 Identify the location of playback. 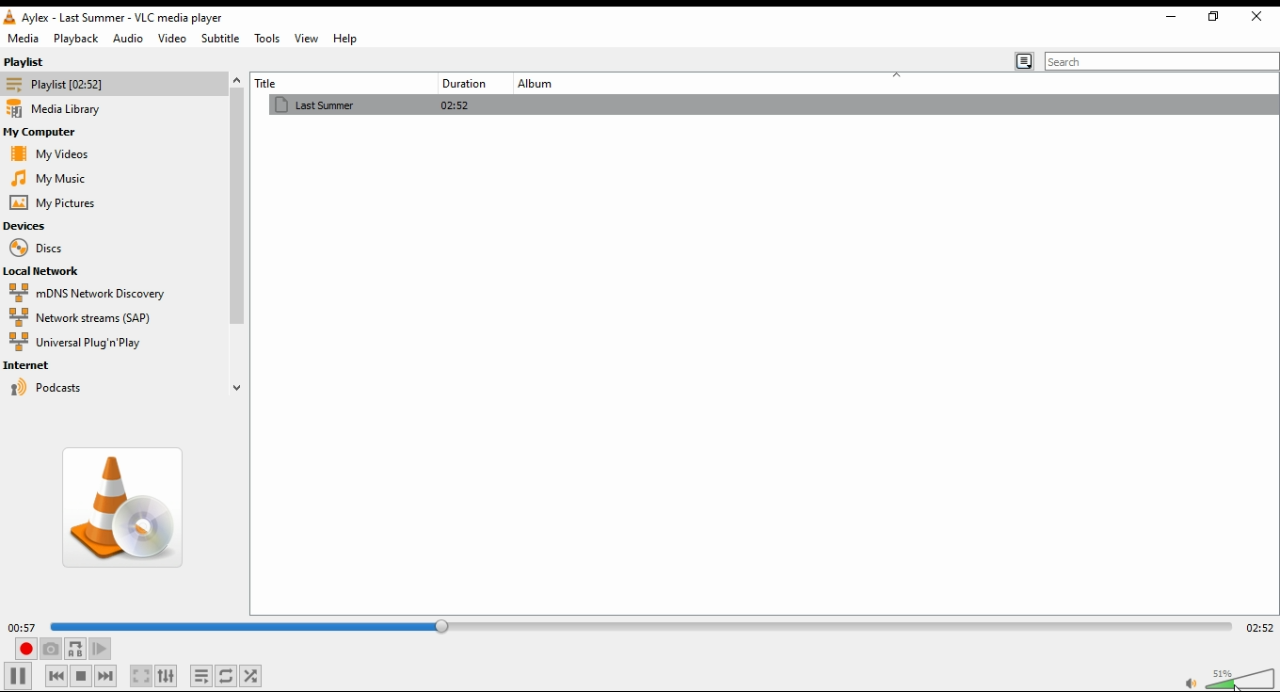
(77, 39).